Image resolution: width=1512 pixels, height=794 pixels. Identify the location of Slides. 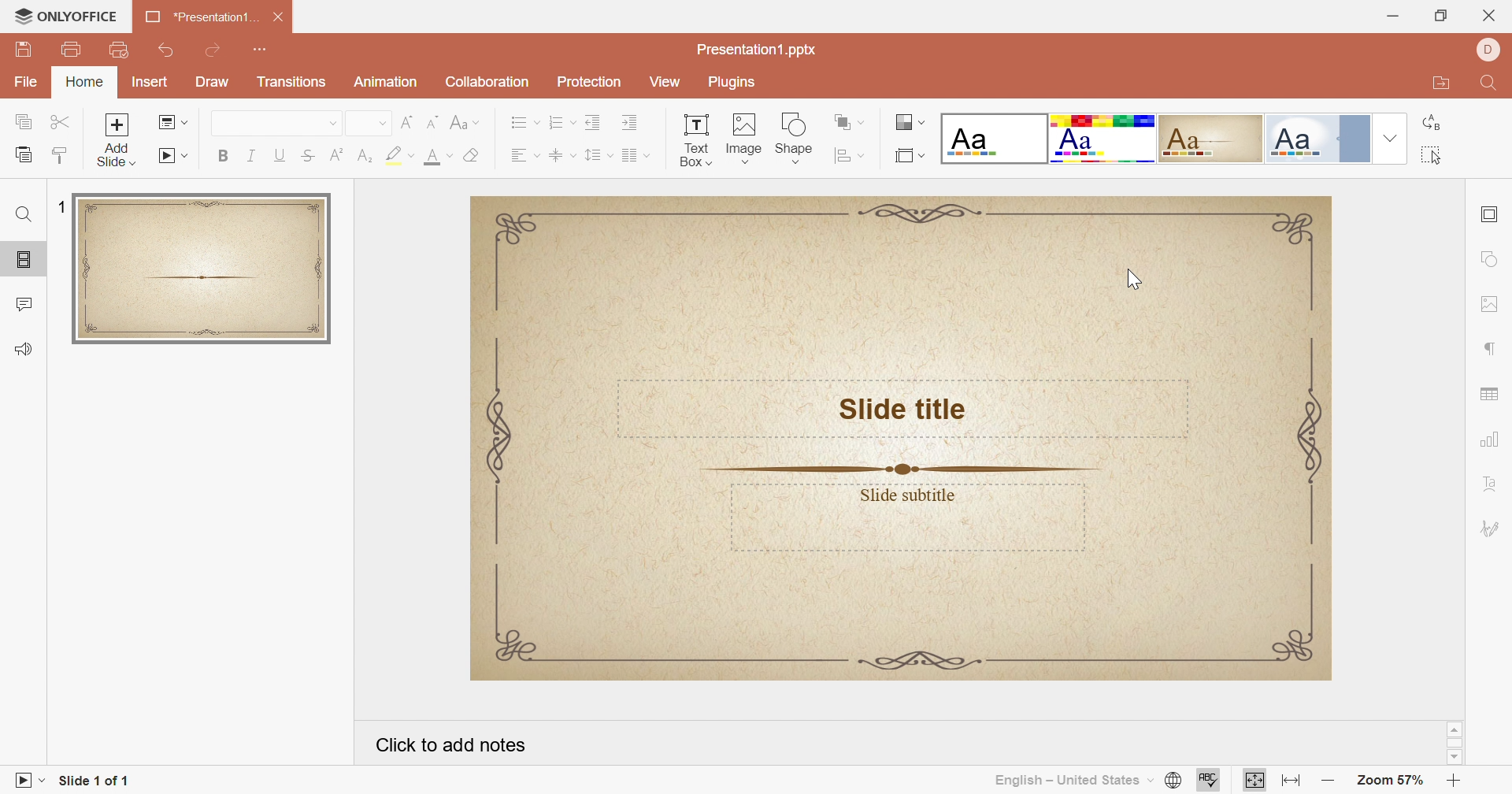
(24, 258).